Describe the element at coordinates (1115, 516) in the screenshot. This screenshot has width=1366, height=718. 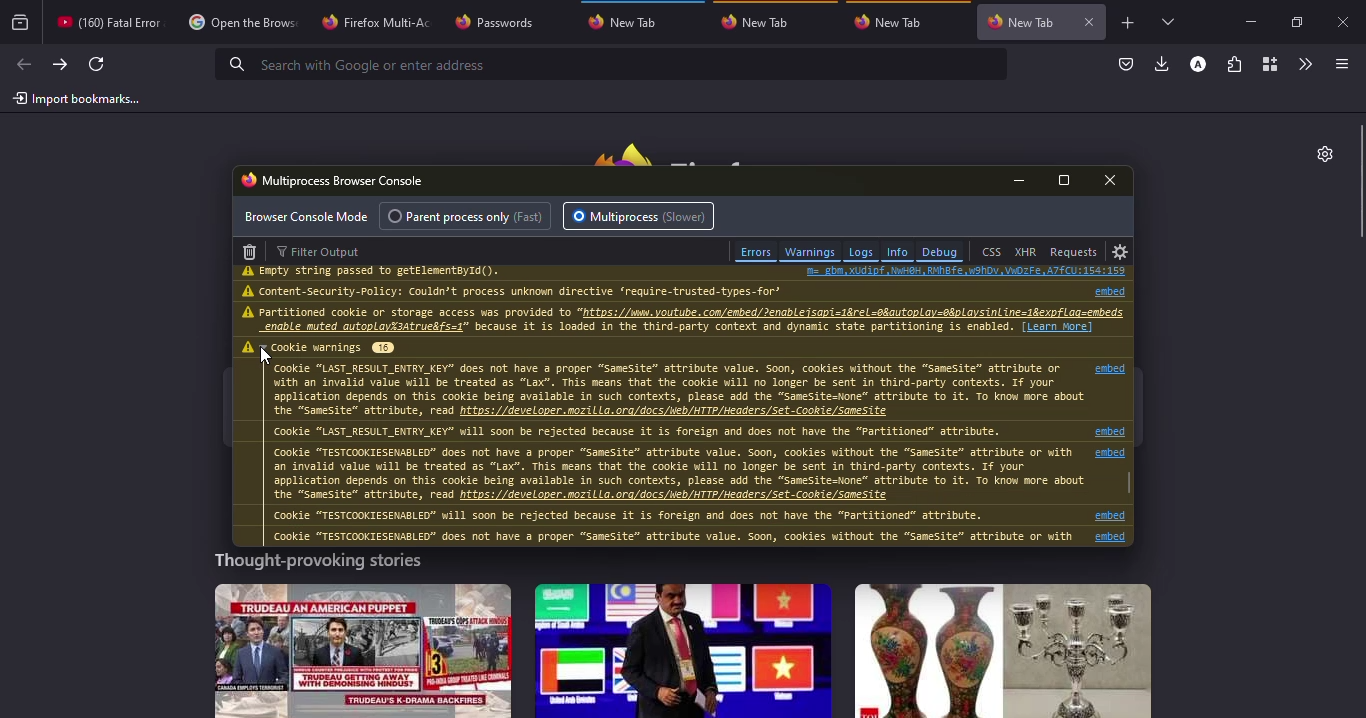
I see `embed` at that location.